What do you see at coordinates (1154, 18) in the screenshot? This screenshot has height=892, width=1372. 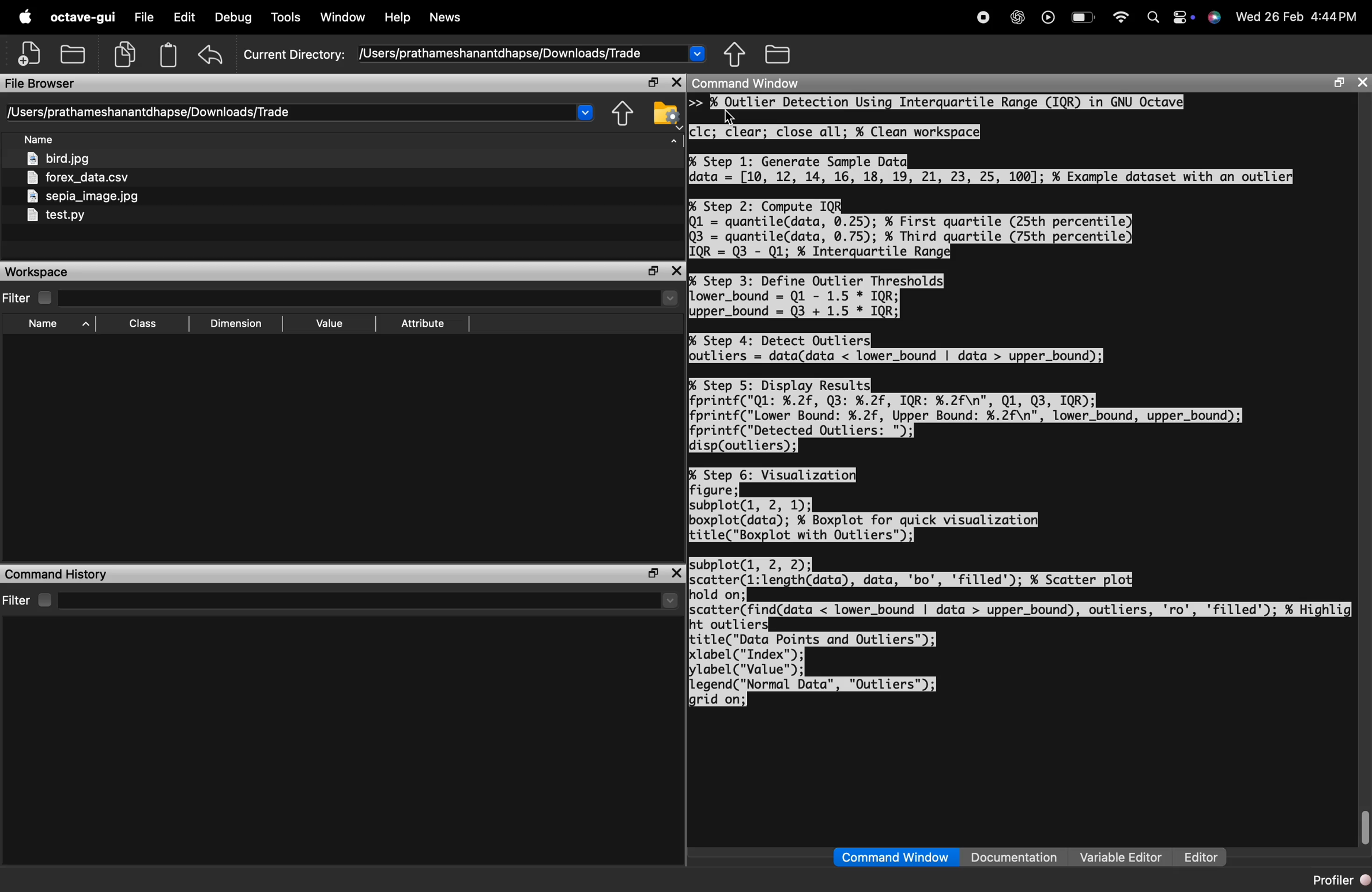 I see `Search ` at bounding box center [1154, 18].